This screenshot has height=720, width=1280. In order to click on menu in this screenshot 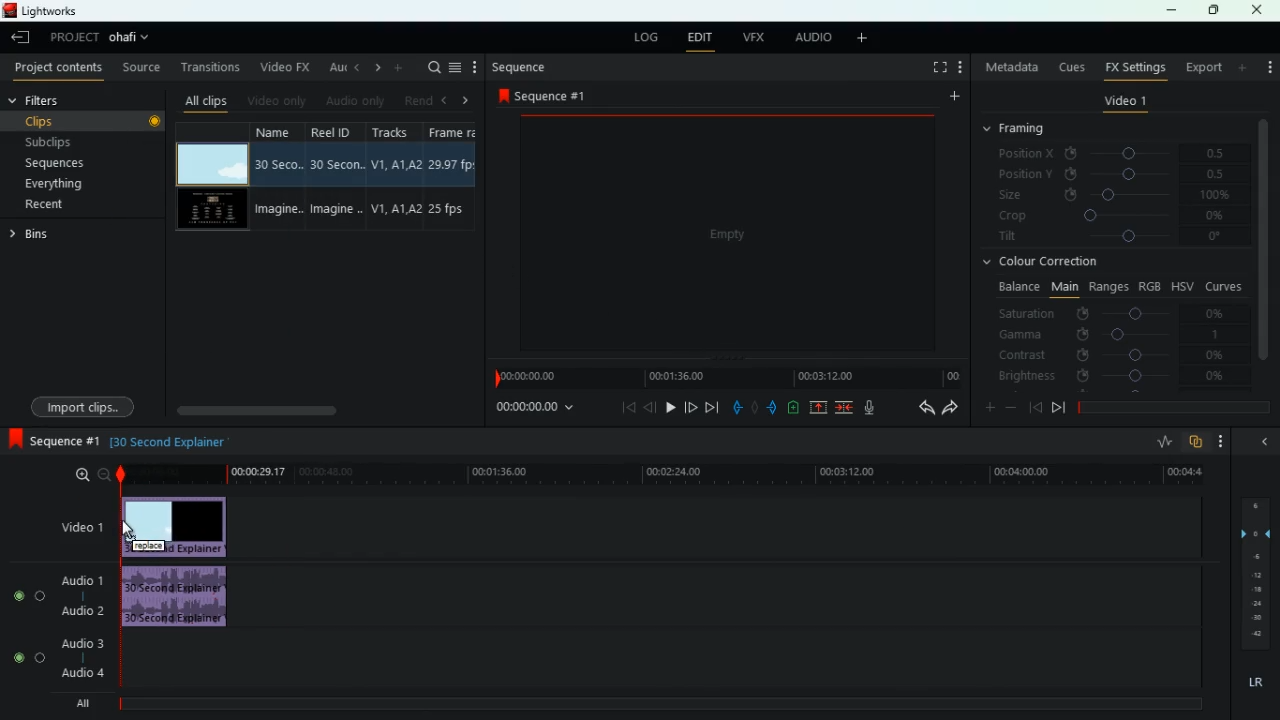, I will do `click(455, 67)`.